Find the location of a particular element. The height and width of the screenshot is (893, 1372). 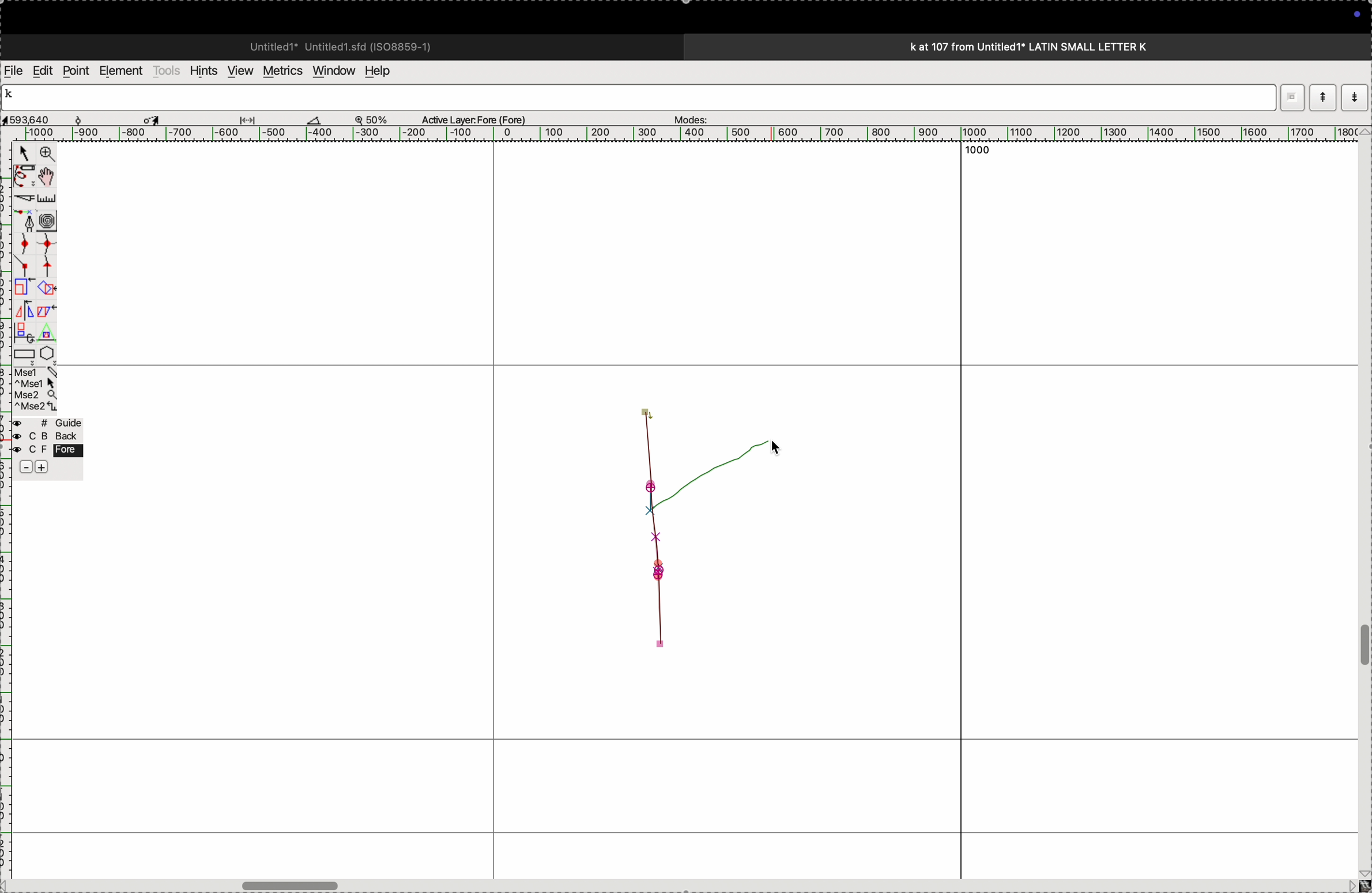

pen is located at coordinates (24, 176).